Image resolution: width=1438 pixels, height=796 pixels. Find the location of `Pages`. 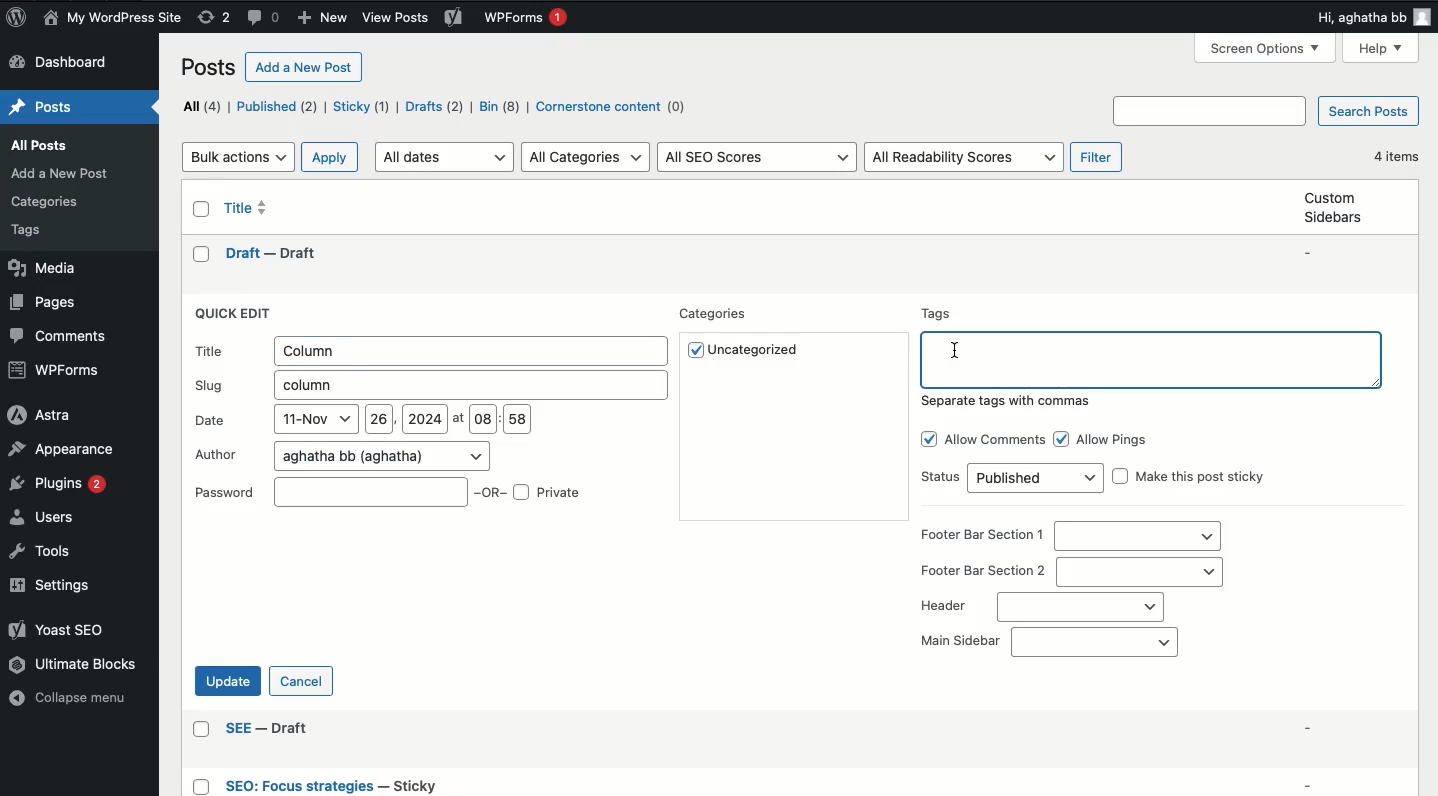

Pages is located at coordinates (47, 304).